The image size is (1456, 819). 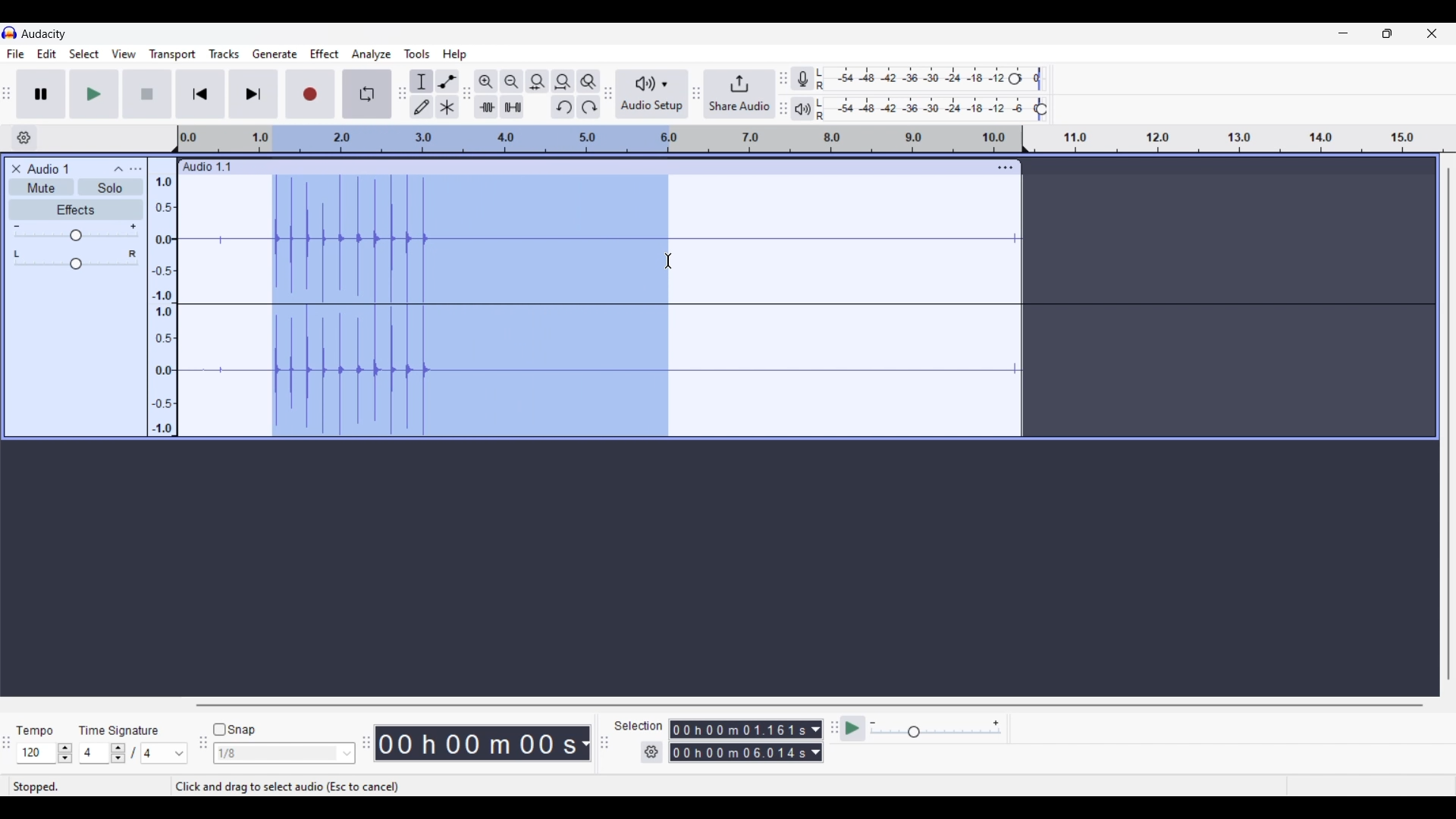 What do you see at coordinates (1448, 423) in the screenshot?
I see `Vertical slide bar` at bounding box center [1448, 423].